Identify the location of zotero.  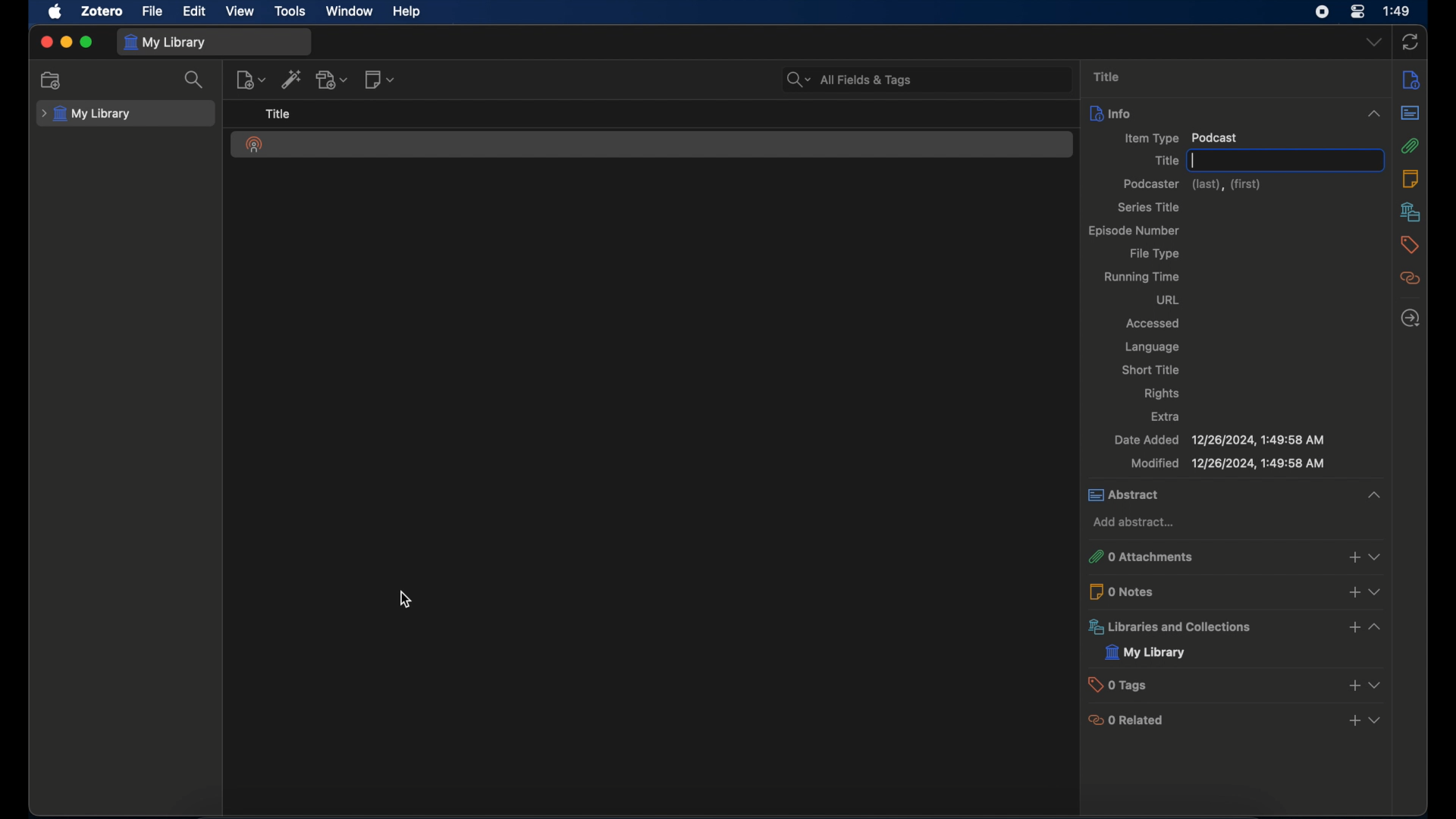
(101, 11).